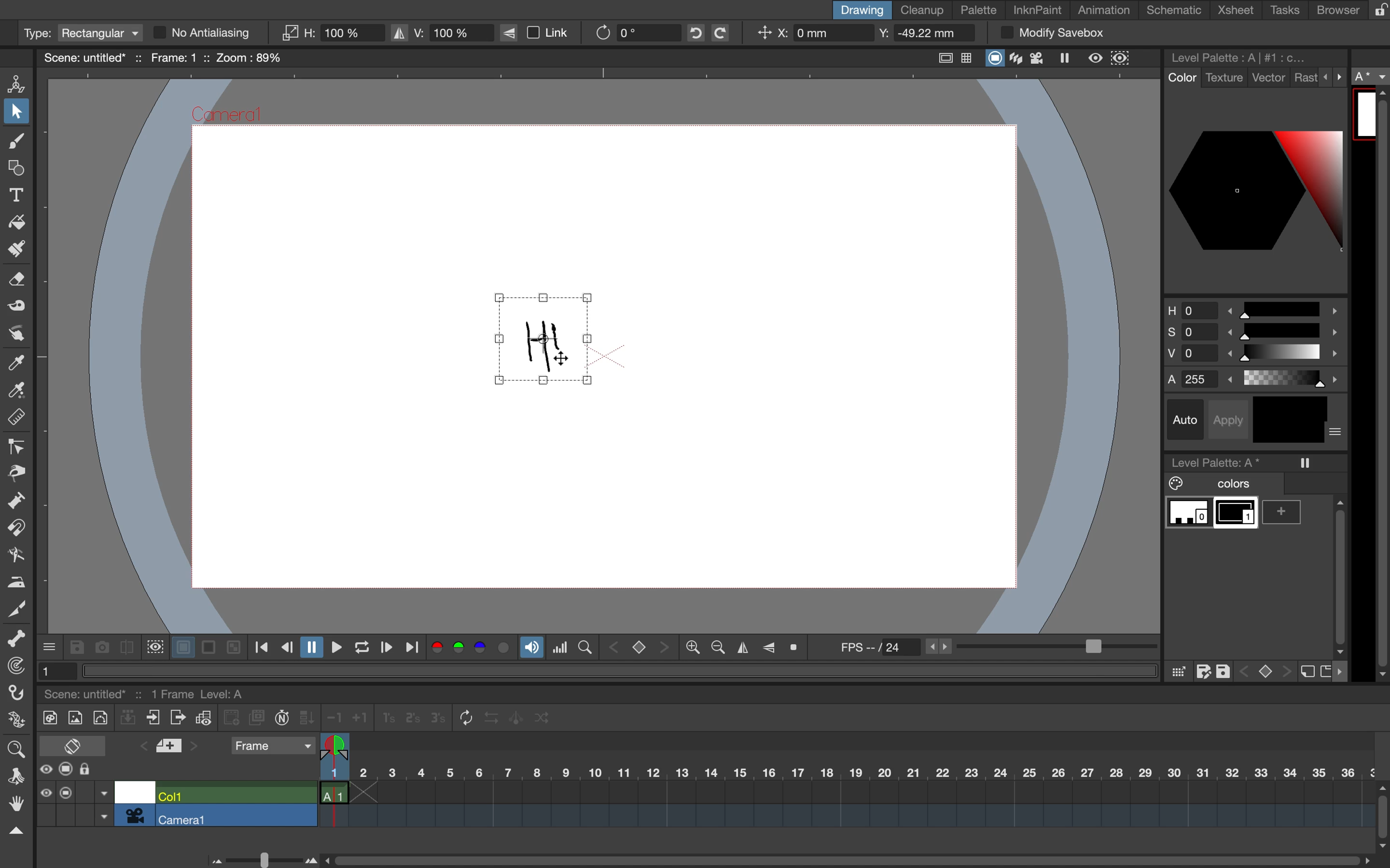 This screenshot has width=1390, height=868. Describe the element at coordinates (1306, 463) in the screenshot. I see `freeze` at that location.